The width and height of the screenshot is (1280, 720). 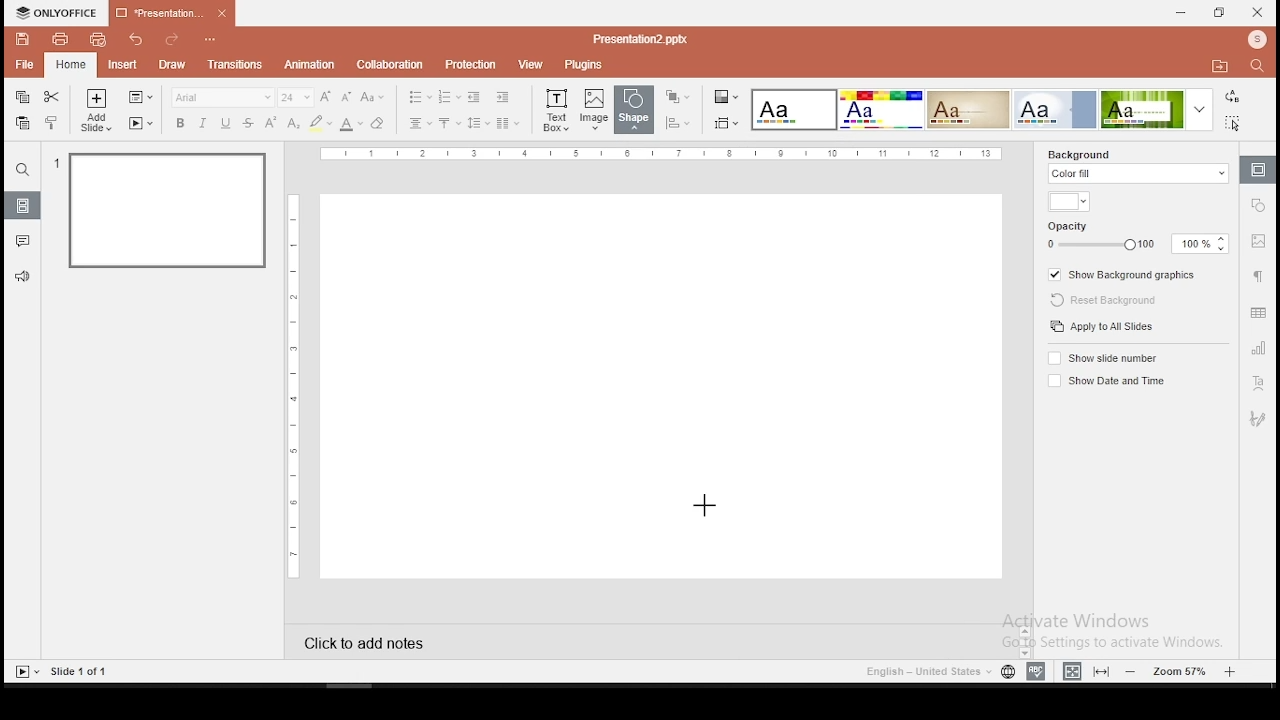 What do you see at coordinates (139, 98) in the screenshot?
I see `change slide layout` at bounding box center [139, 98].